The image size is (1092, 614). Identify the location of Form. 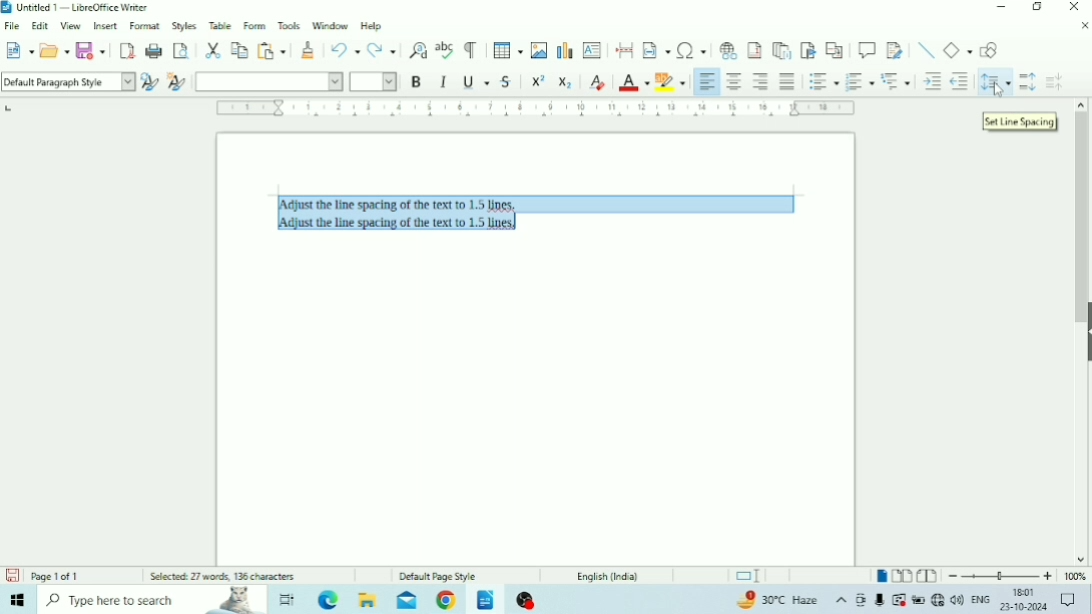
(255, 26).